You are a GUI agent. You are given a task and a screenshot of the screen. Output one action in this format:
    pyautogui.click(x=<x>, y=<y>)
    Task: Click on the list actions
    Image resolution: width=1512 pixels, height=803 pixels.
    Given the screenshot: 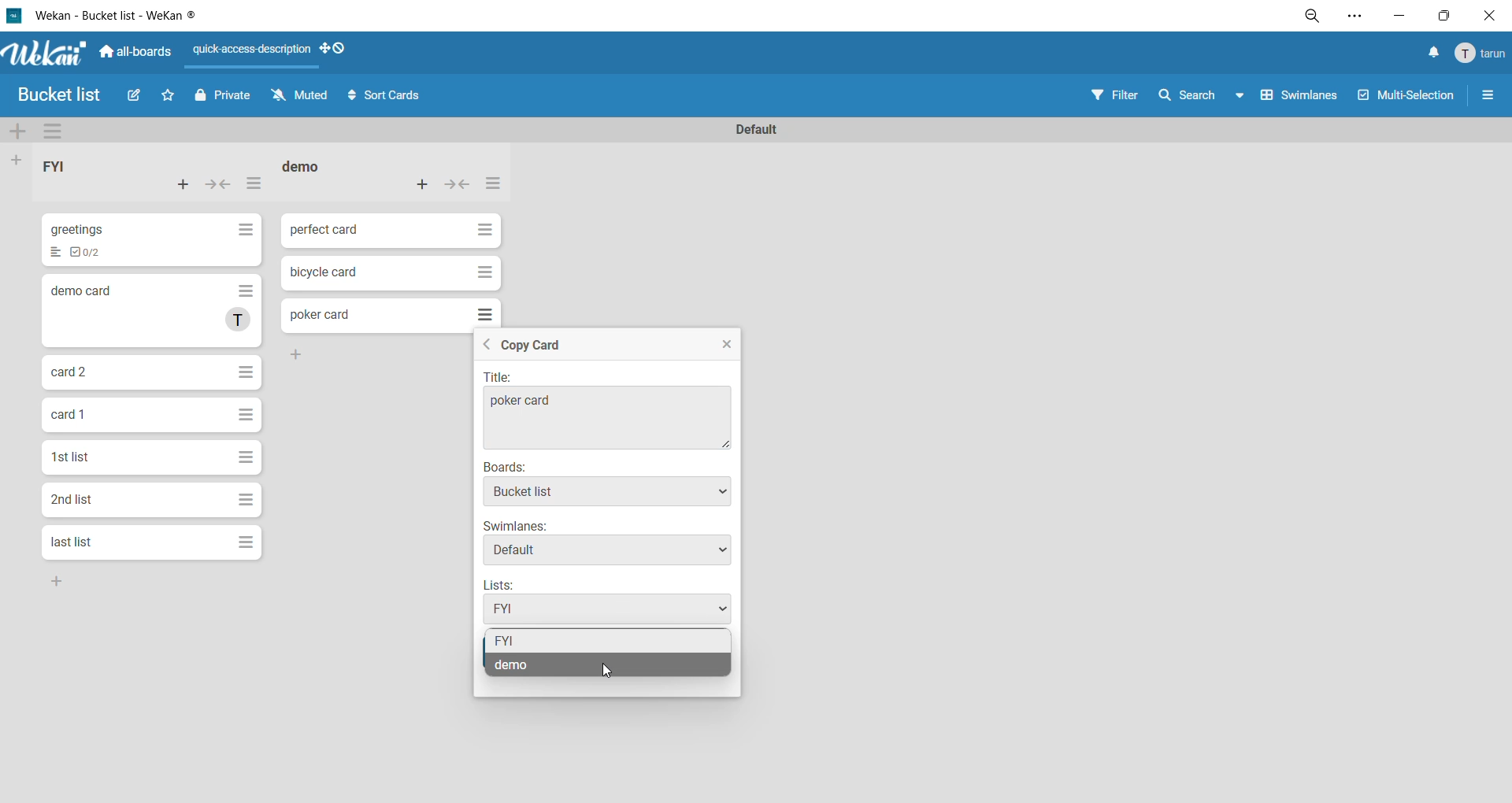 What is the action you would take?
    pyautogui.click(x=491, y=185)
    